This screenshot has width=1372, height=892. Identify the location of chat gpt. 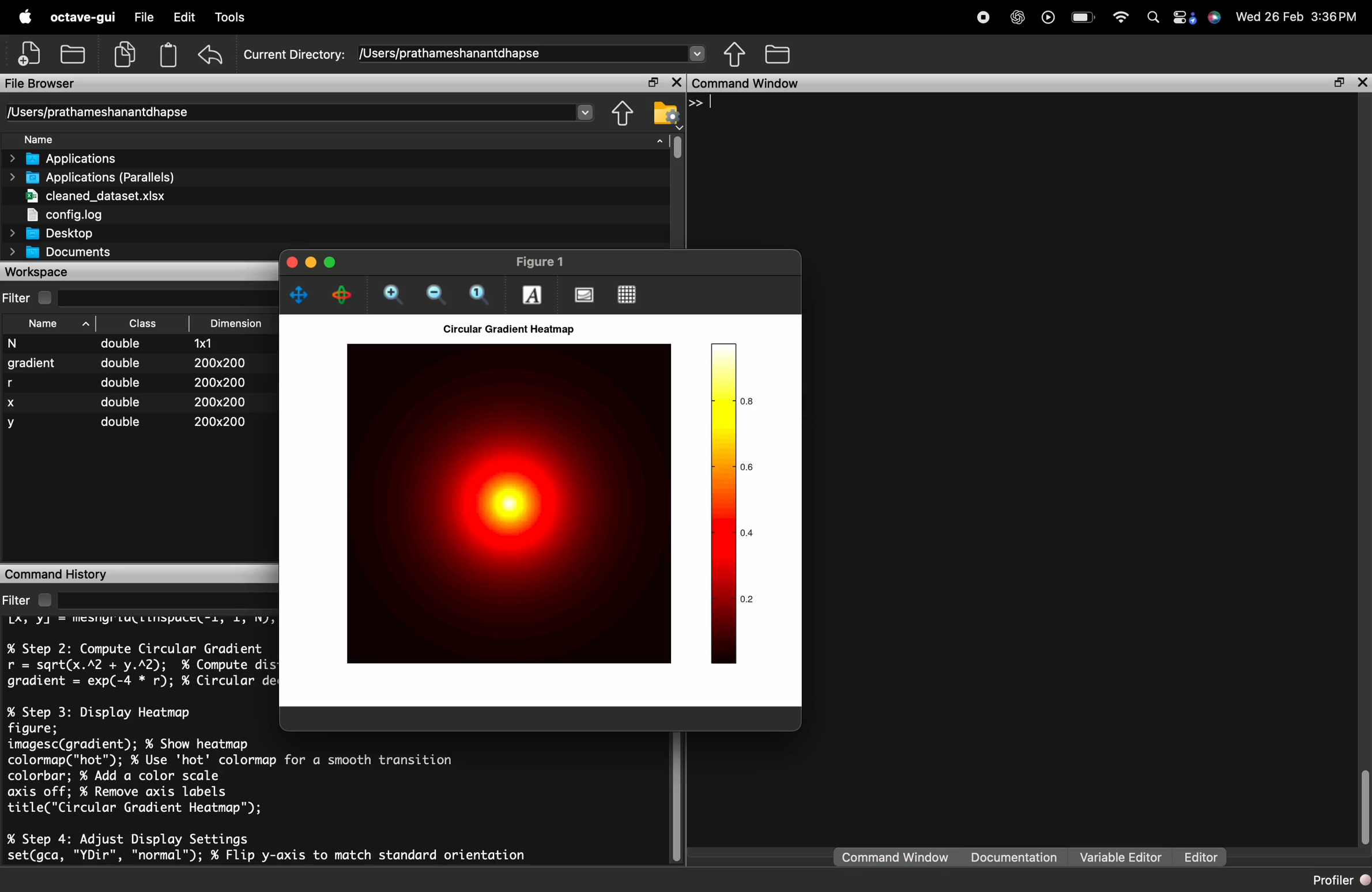
(1018, 17).